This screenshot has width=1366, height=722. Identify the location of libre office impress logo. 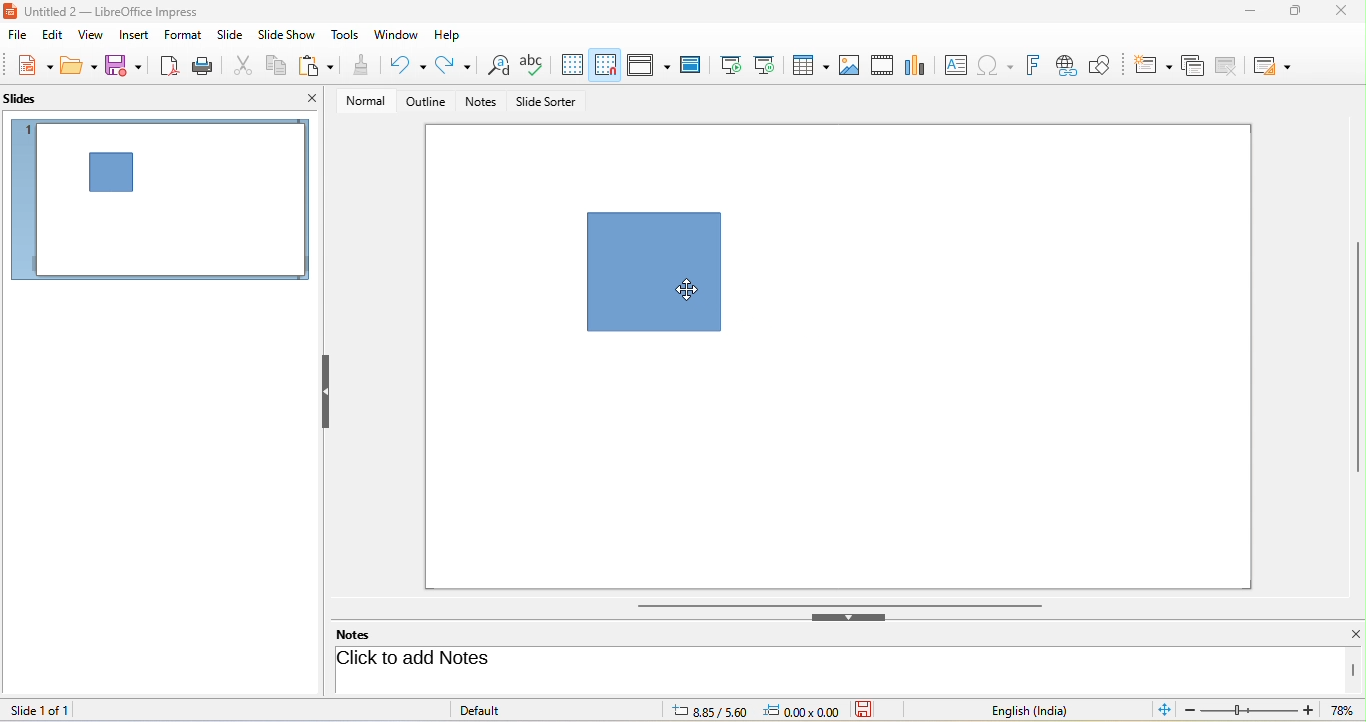
(9, 10).